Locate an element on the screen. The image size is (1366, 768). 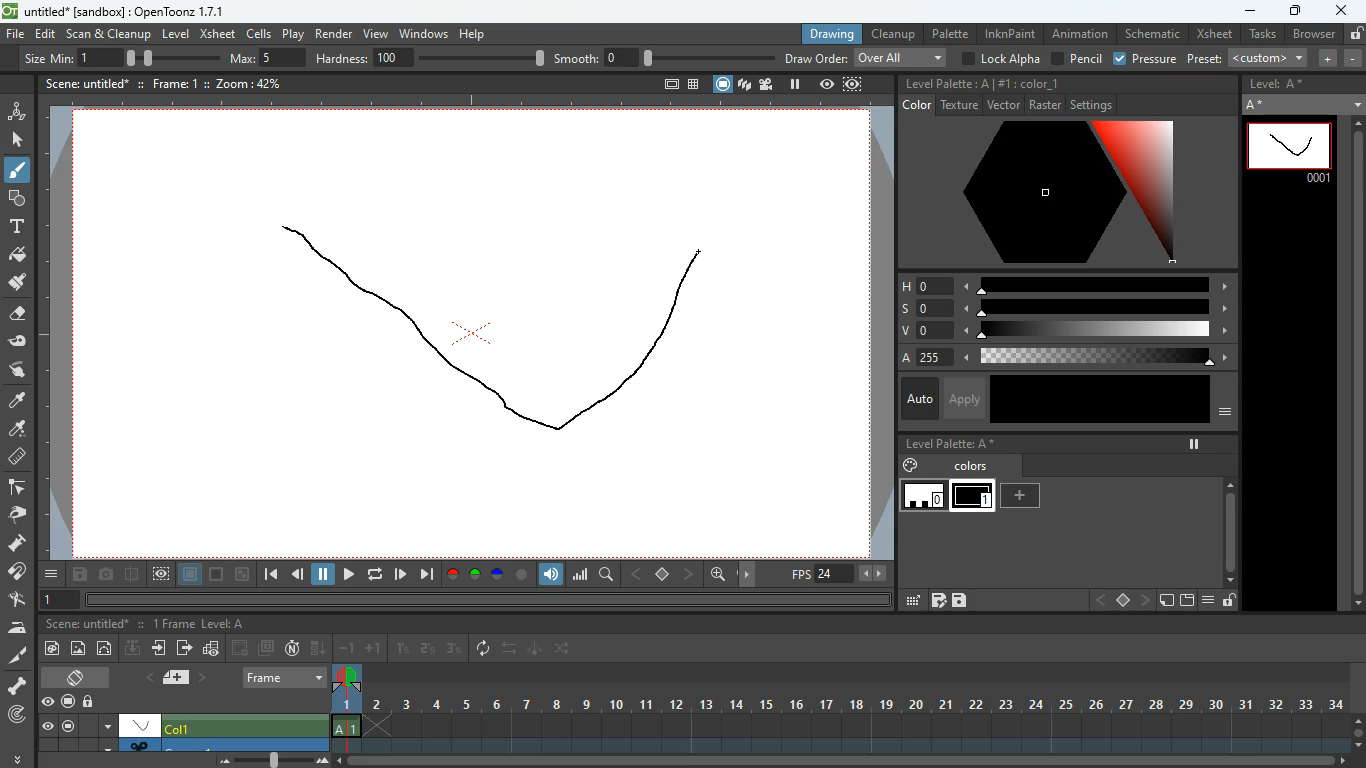
decrease is located at coordinates (1353, 58).